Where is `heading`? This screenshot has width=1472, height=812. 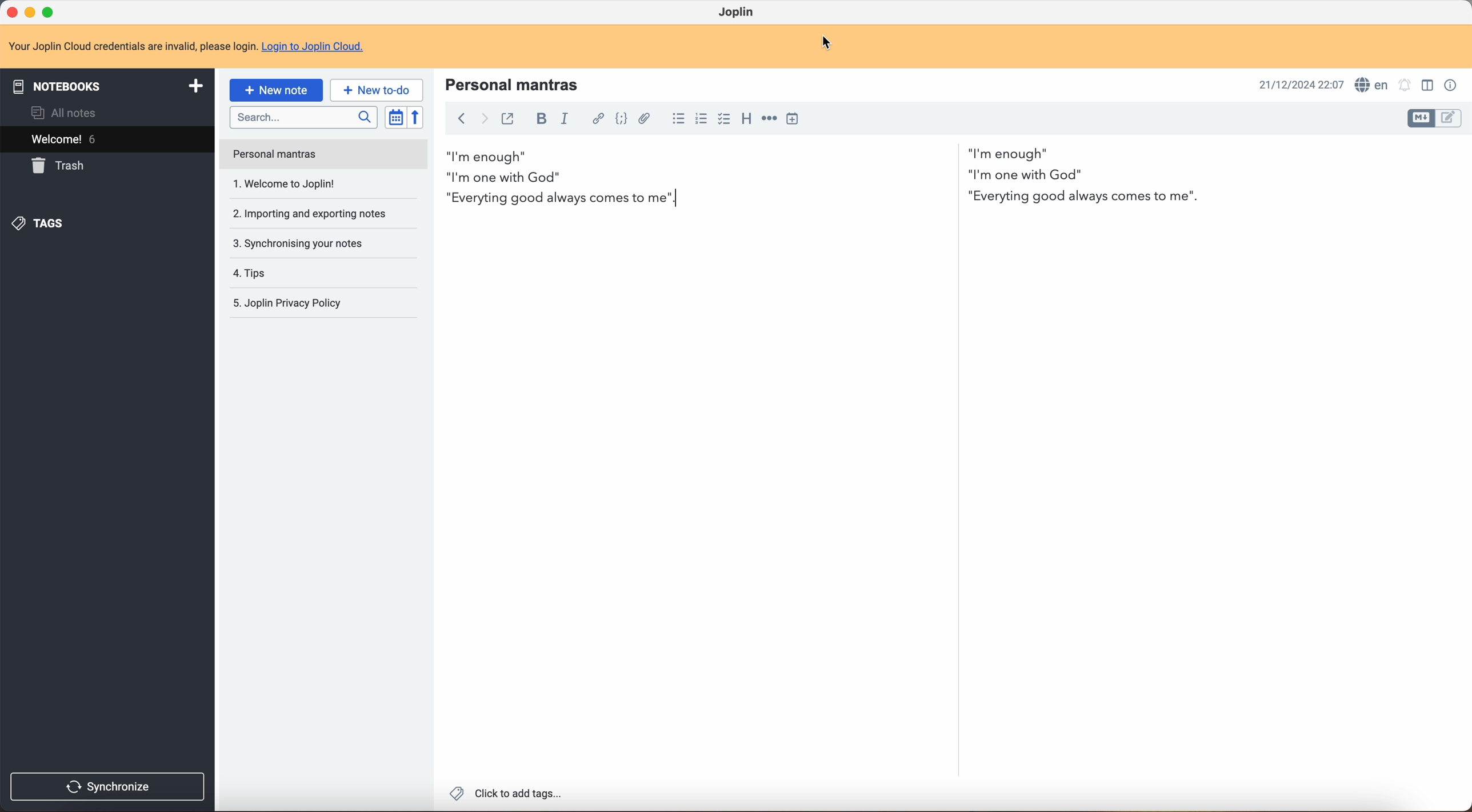 heading is located at coordinates (746, 121).